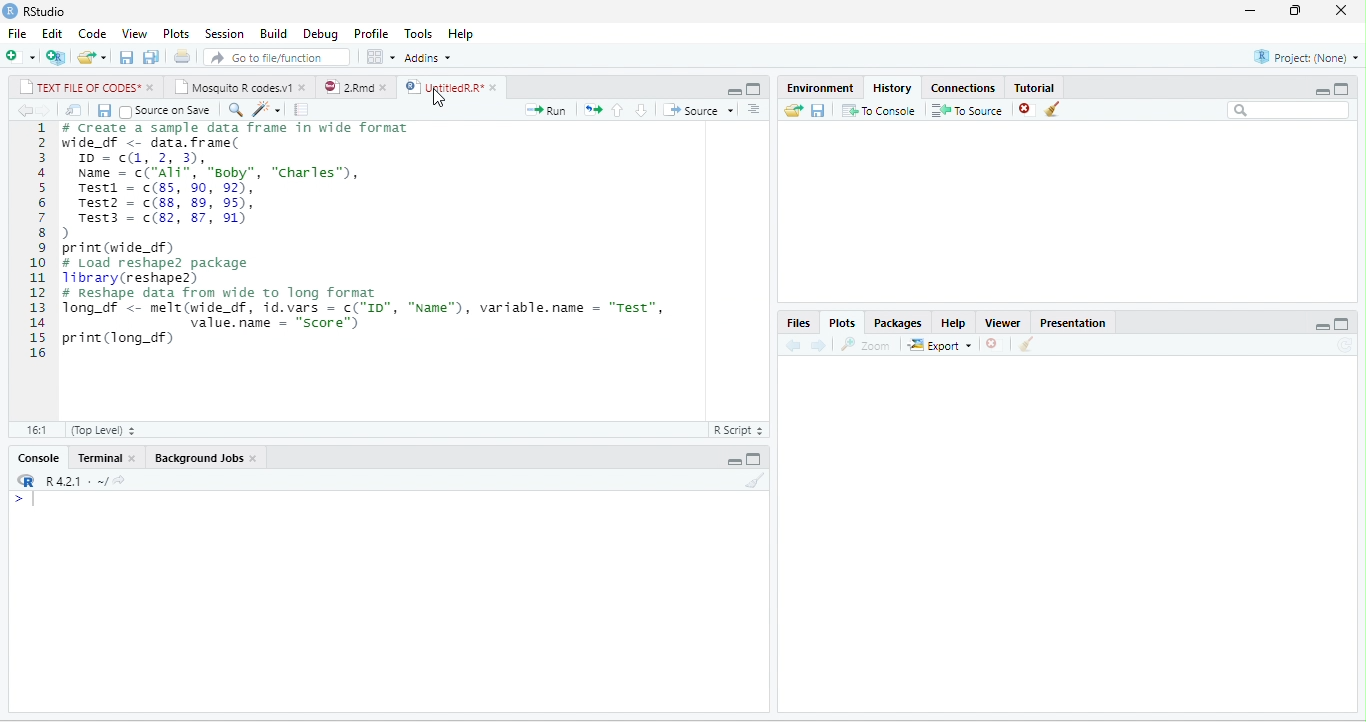 The image size is (1366, 722). What do you see at coordinates (1343, 324) in the screenshot?
I see `maximize` at bounding box center [1343, 324].